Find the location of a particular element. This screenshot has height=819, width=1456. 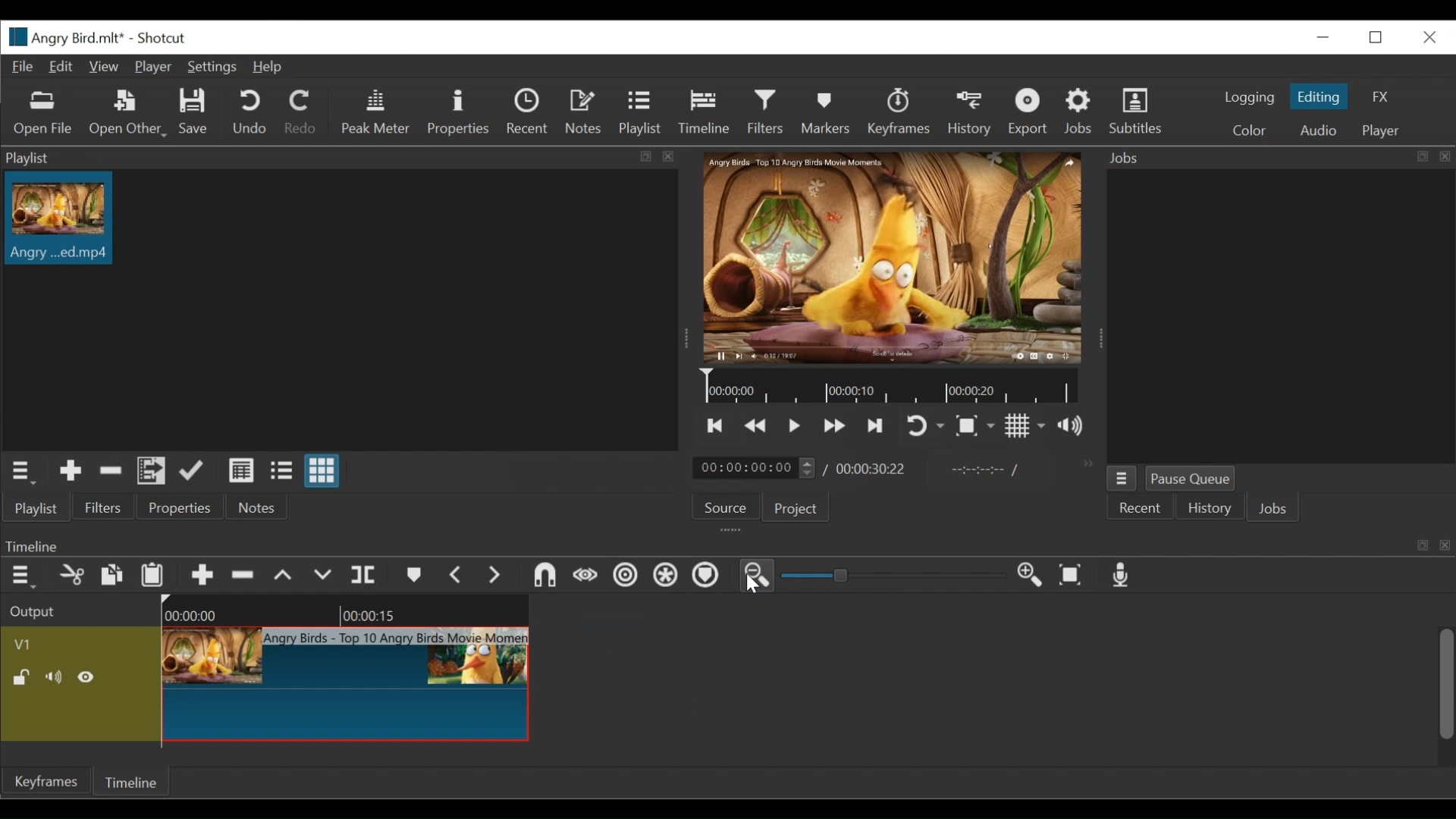

Paste is located at coordinates (152, 577).